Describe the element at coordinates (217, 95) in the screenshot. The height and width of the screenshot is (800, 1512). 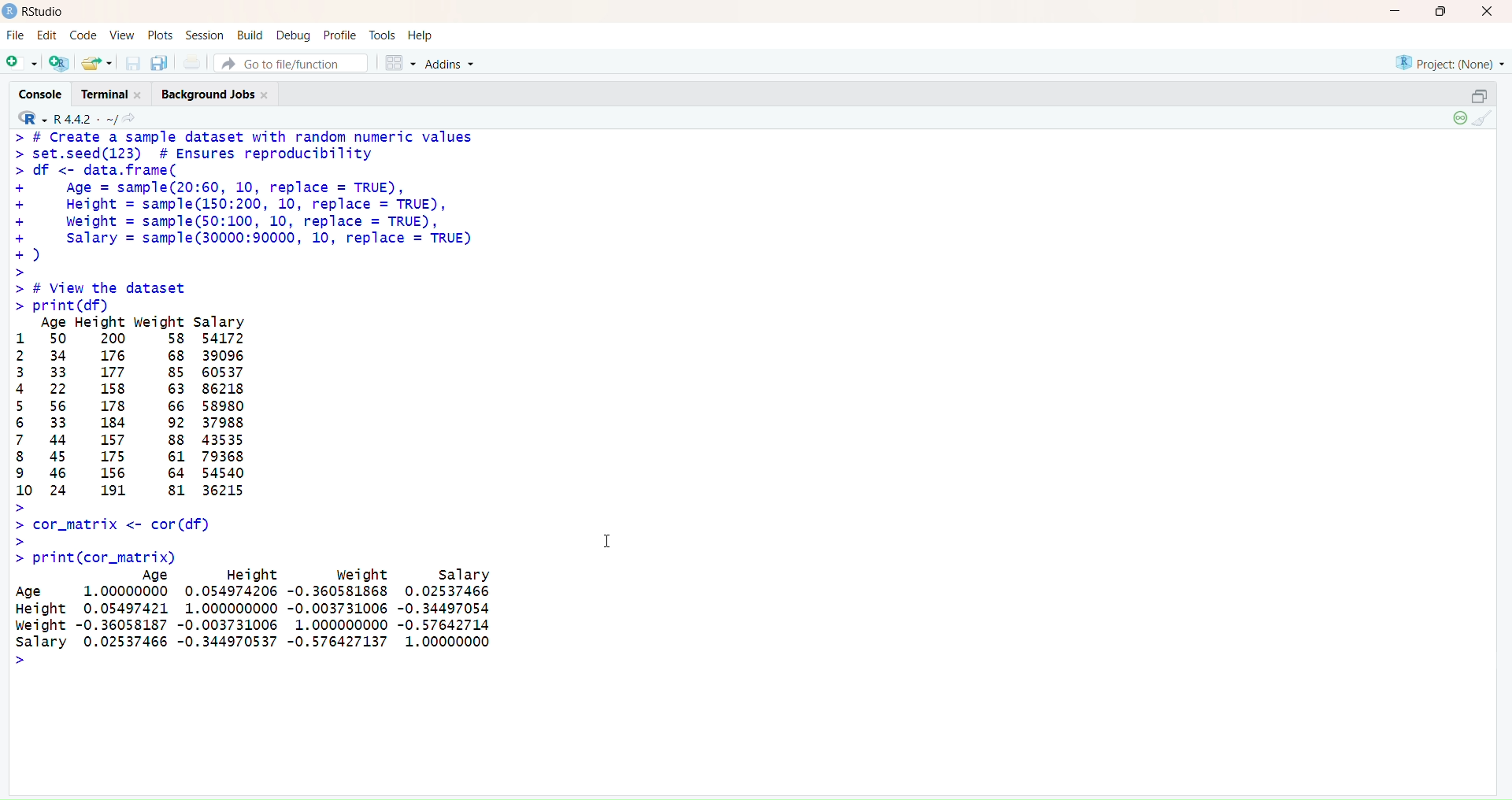
I see `Background jobs` at that location.